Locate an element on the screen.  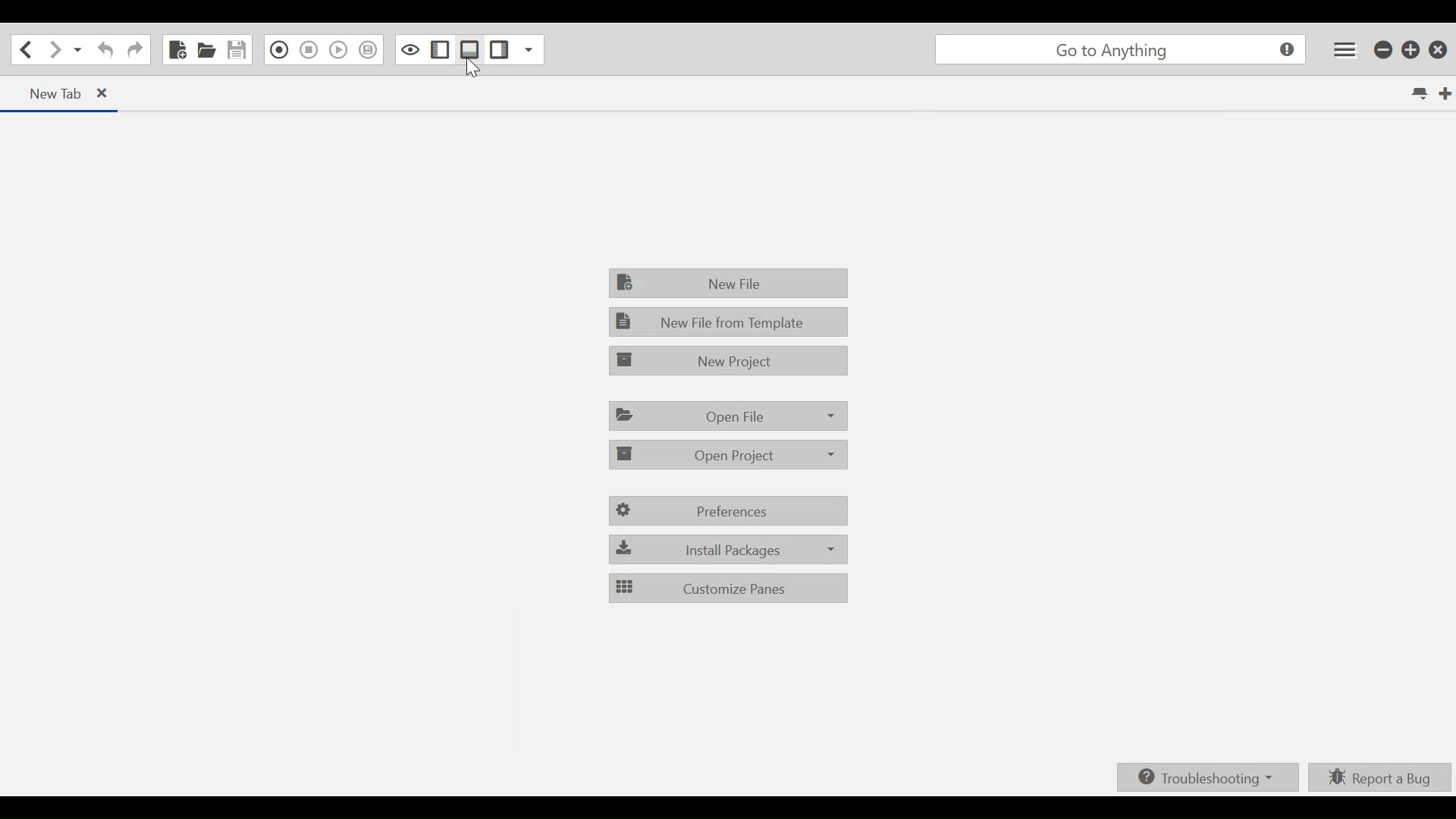
Open Project is located at coordinates (730, 455).